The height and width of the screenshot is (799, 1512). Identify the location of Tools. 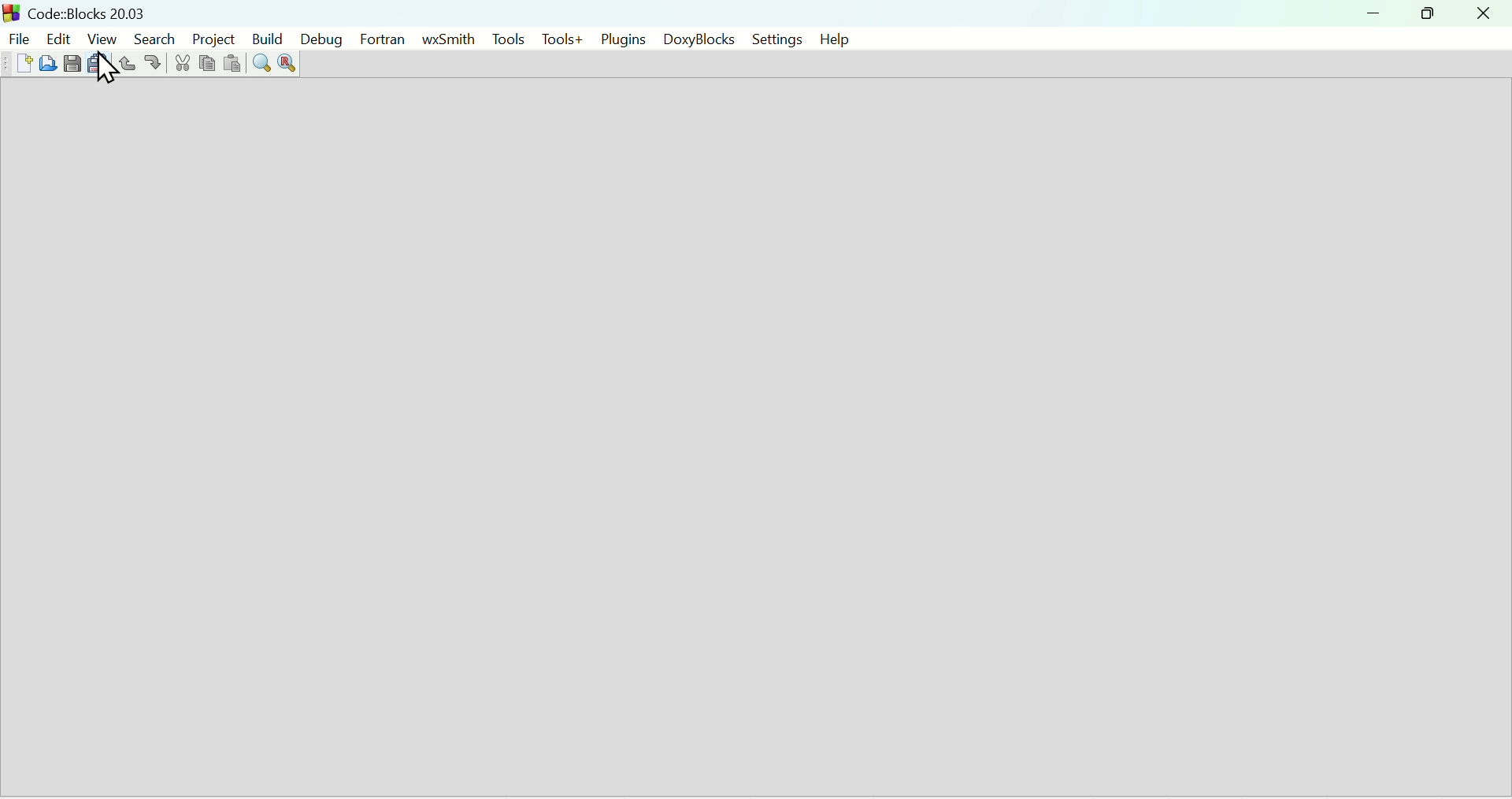
(505, 38).